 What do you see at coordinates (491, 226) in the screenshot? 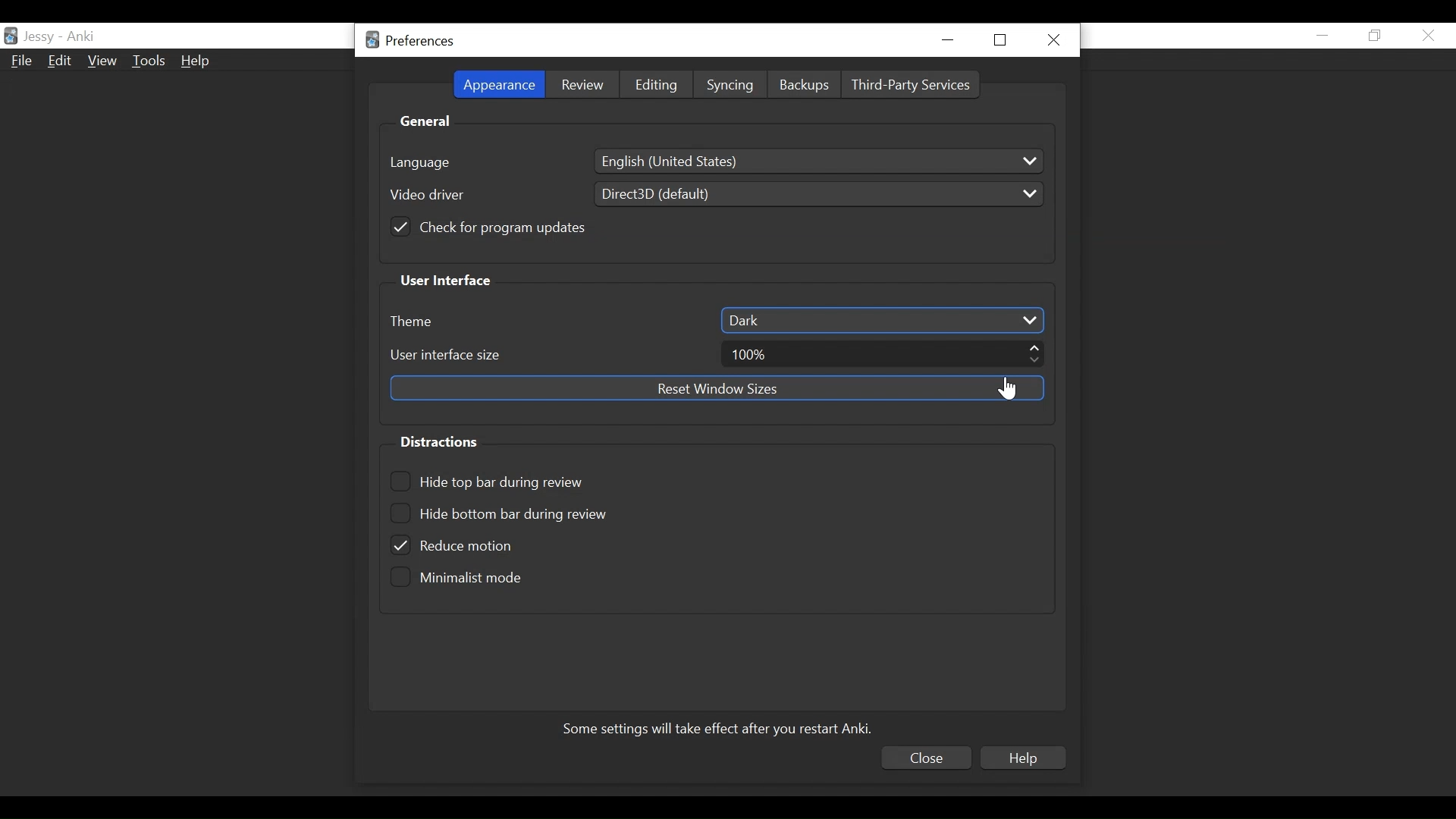
I see `(un)check for program updates` at bounding box center [491, 226].